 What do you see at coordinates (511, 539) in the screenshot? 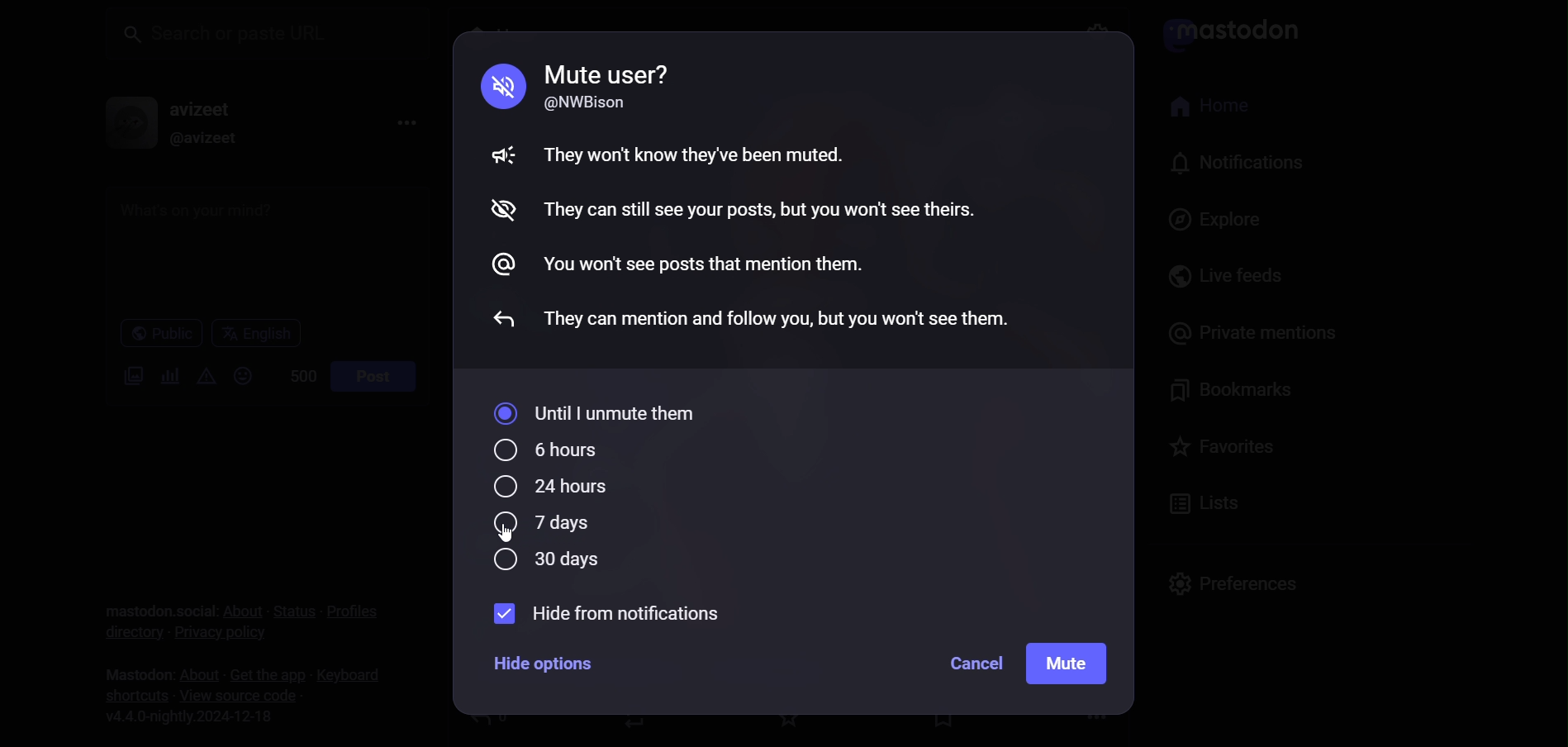
I see `cursor` at bounding box center [511, 539].